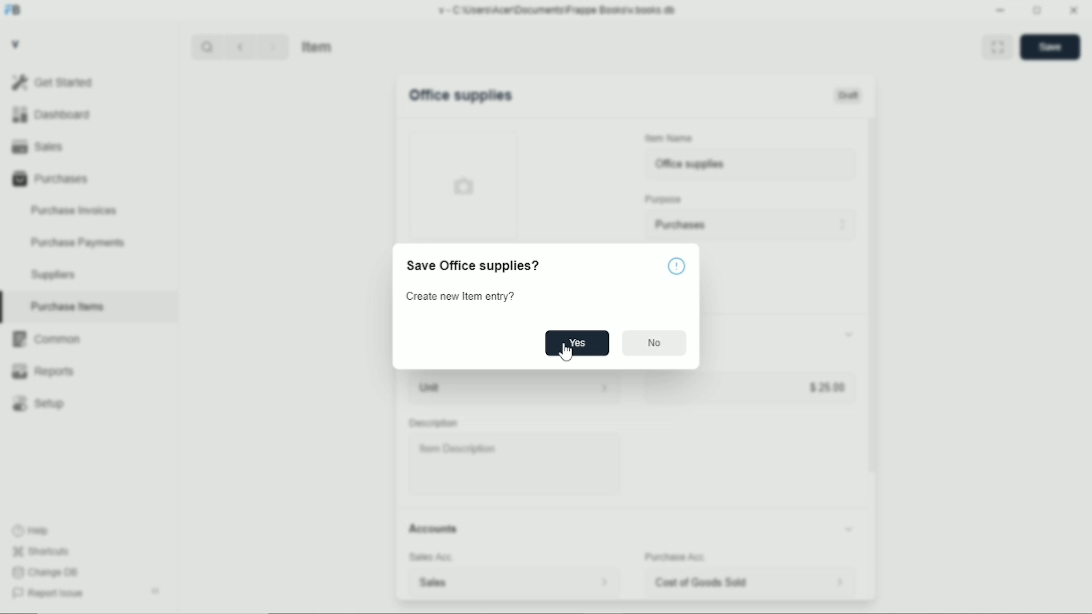 The height and width of the screenshot is (614, 1092). Describe the element at coordinates (45, 572) in the screenshot. I see `change DB` at that location.